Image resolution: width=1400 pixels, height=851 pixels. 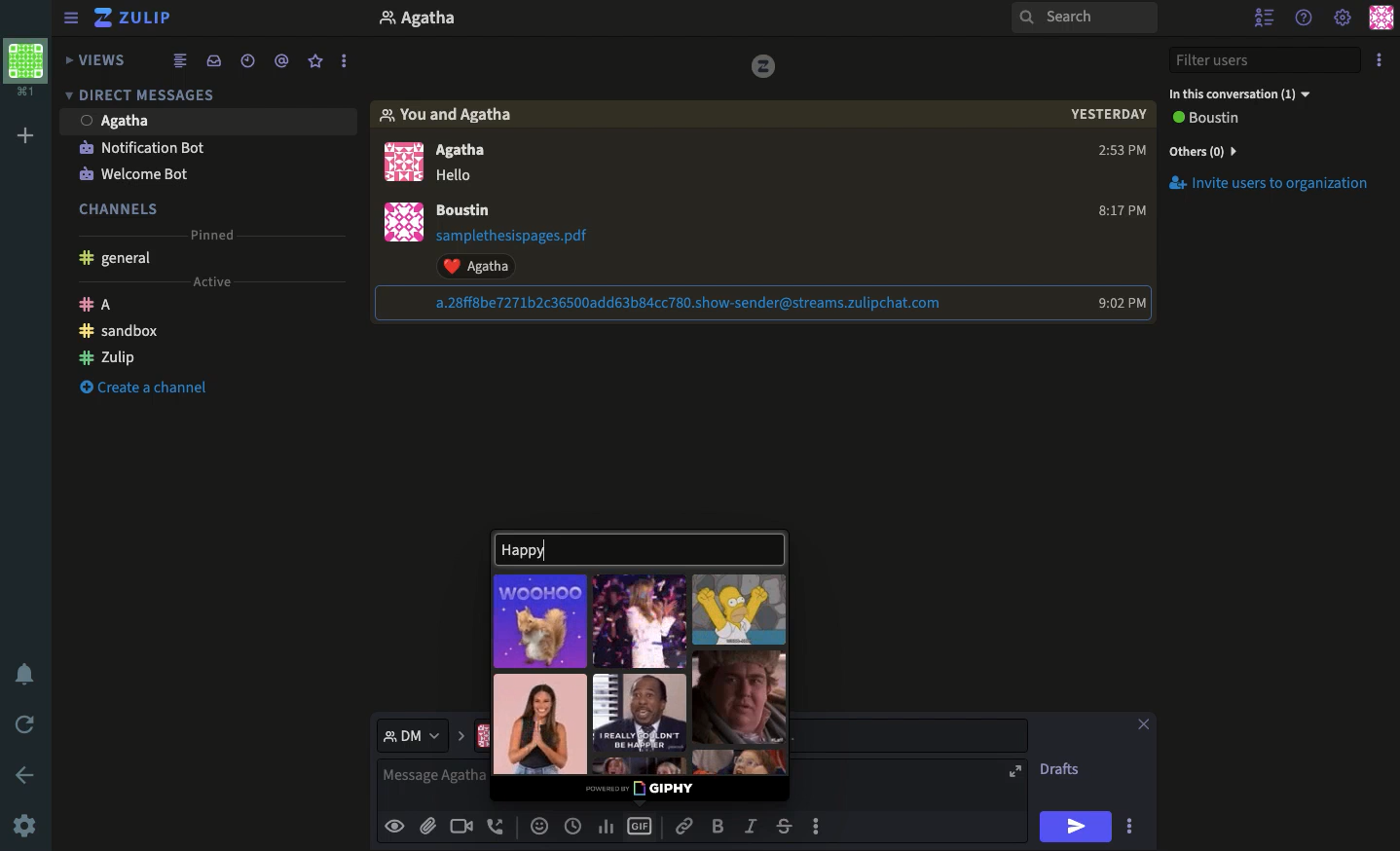 I want to click on Options, so click(x=1379, y=61).